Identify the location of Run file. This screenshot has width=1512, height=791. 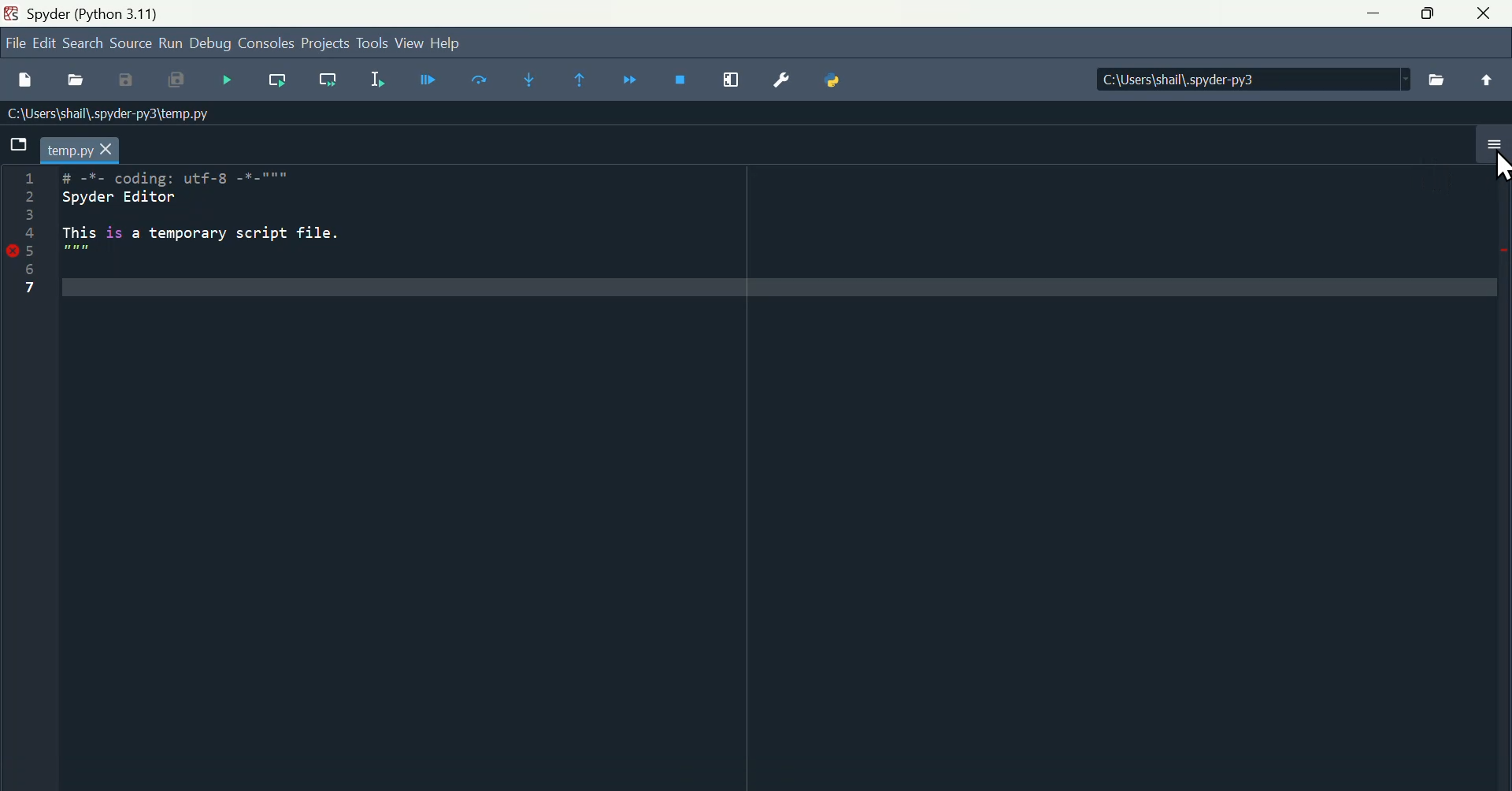
(426, 84).